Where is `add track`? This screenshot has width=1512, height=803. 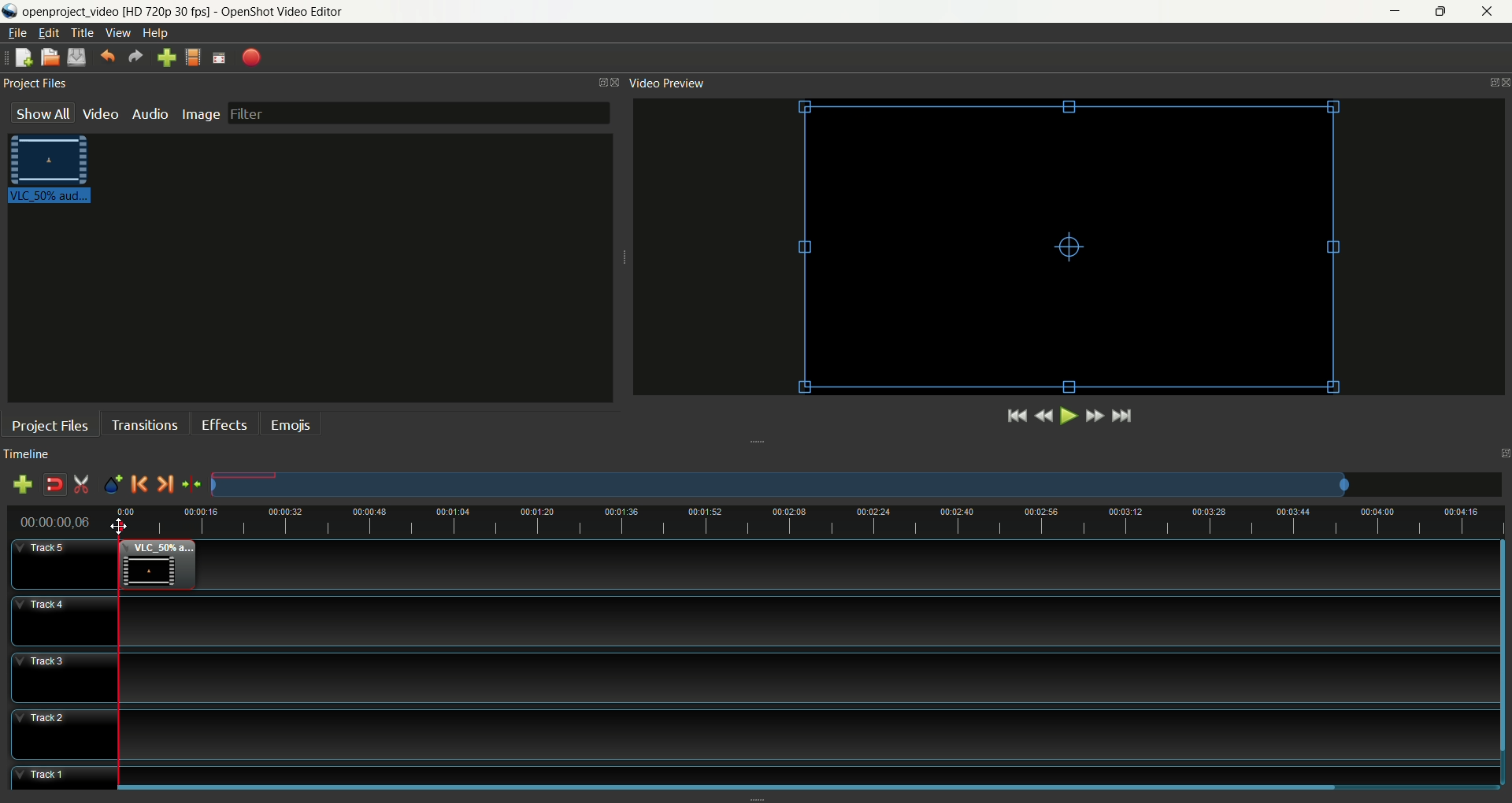
add track is located at coordinates (26, 485).